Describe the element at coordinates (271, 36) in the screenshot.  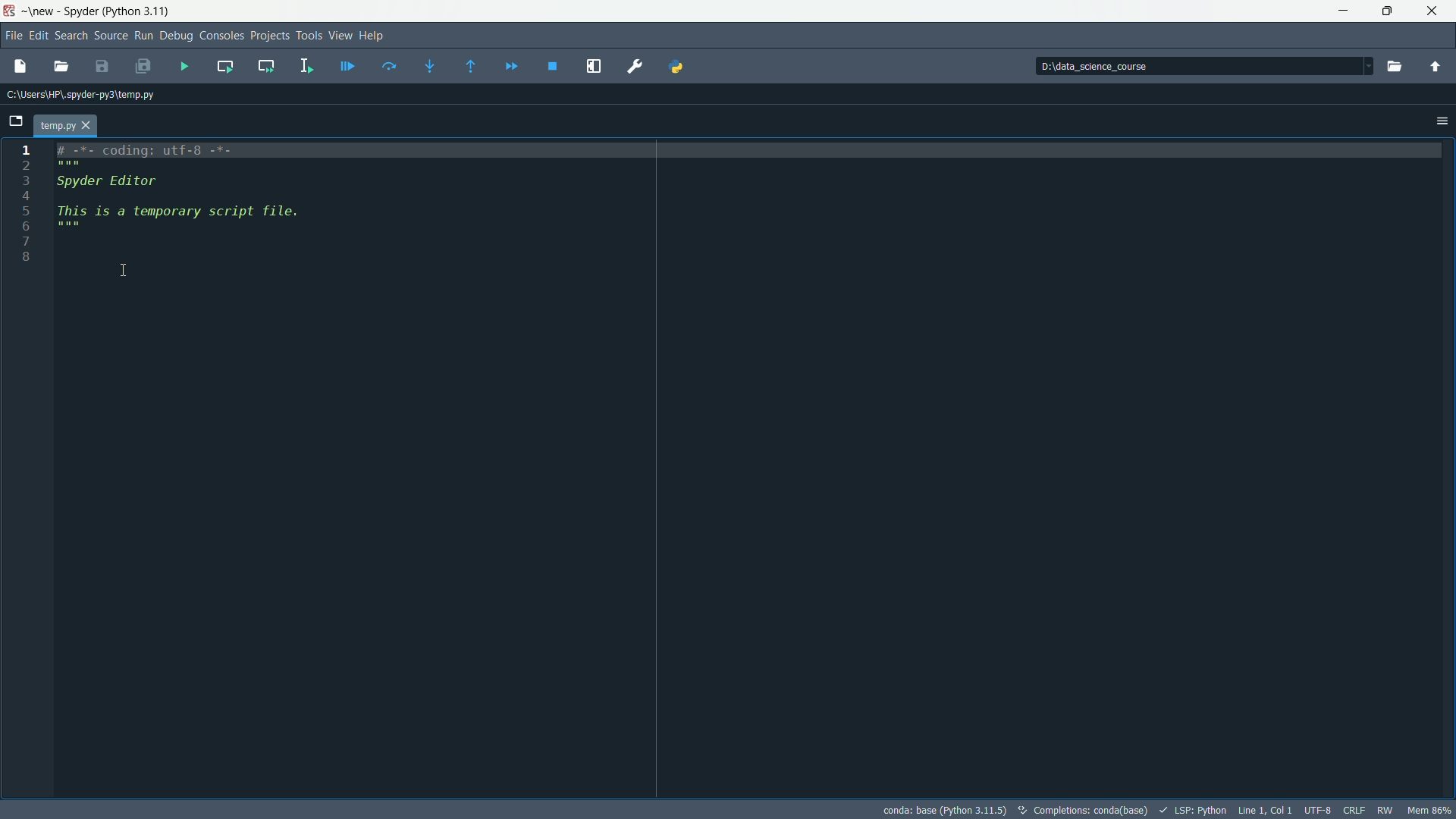
I see `projects menu` at that location.